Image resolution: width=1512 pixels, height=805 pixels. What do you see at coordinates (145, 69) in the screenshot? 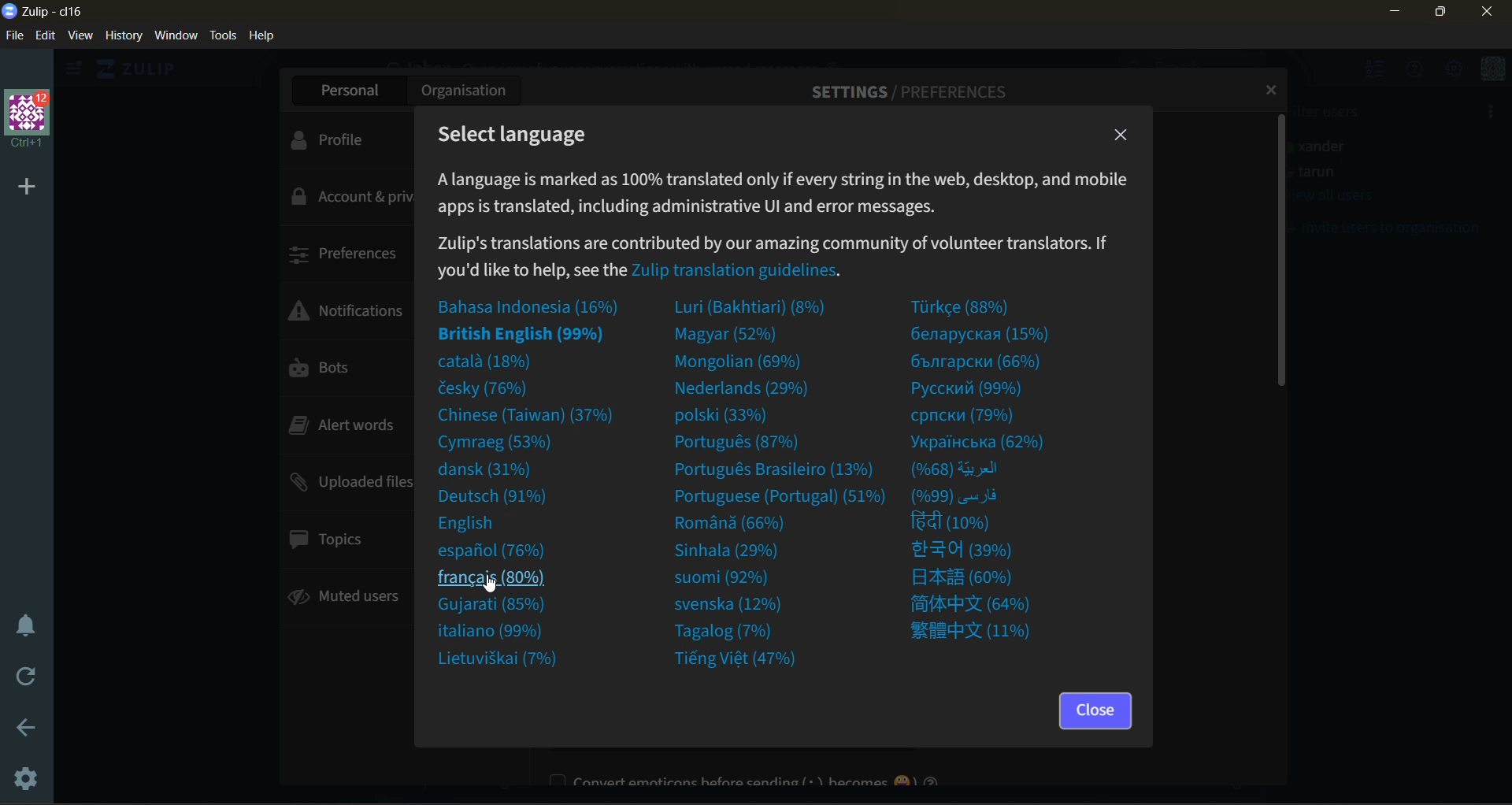
I see `home` at bounding box center [145, 69].